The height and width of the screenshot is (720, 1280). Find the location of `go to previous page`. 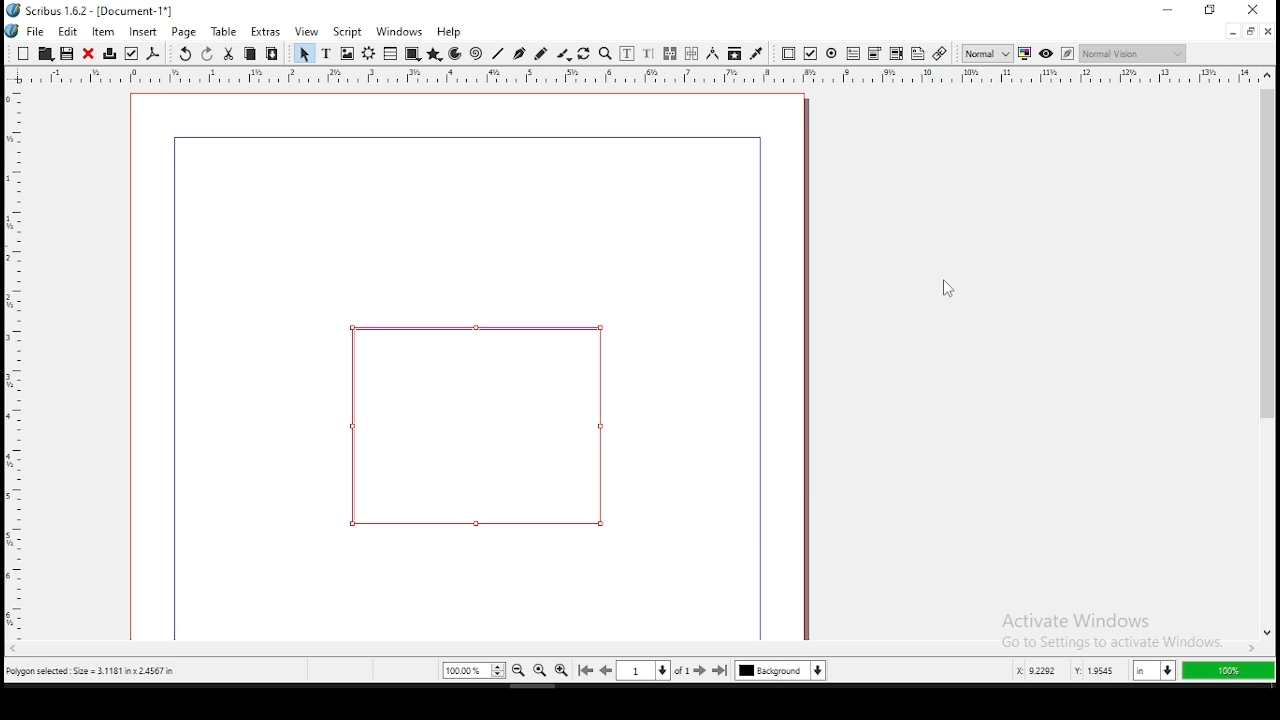

go to previous page is located at coordinates (608, 670).